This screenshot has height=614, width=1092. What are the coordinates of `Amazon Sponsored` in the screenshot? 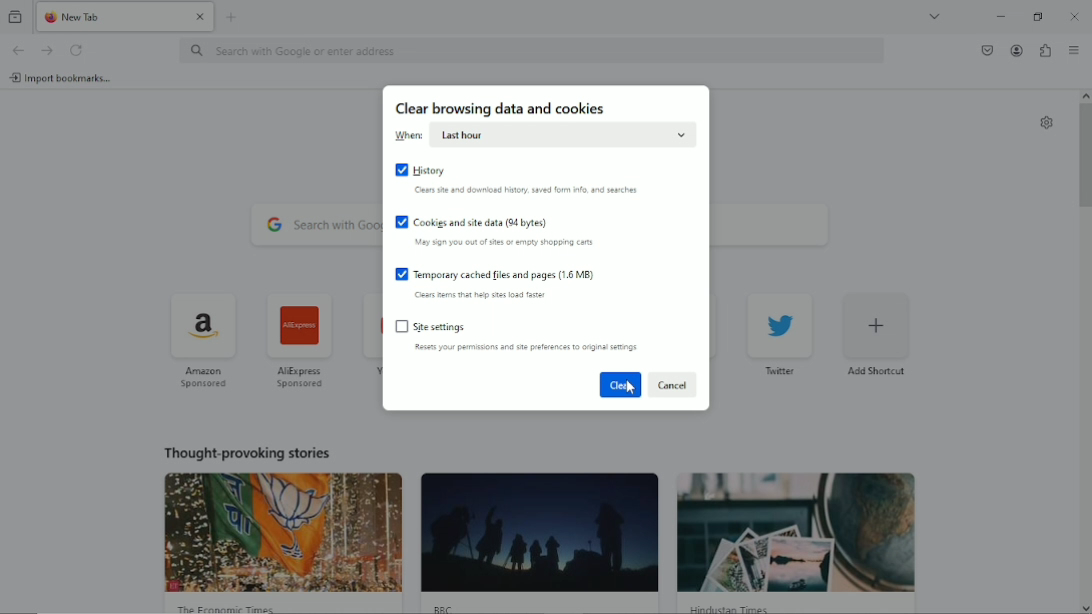 It's located at (206, 339).